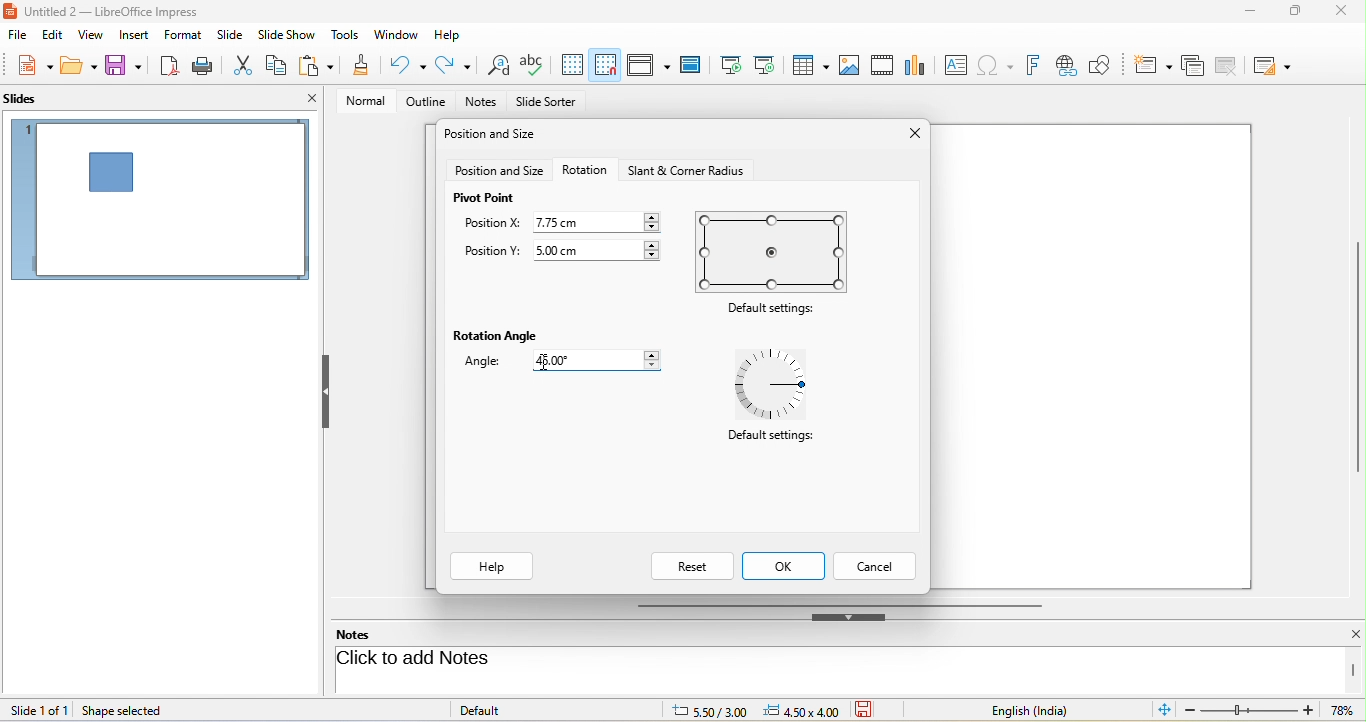 The image size is (1366, 722). What do you see at coordinates (800, 710) in the screenshot?
I see `object position-4.5x4.00` at bounding box center [800, 710].